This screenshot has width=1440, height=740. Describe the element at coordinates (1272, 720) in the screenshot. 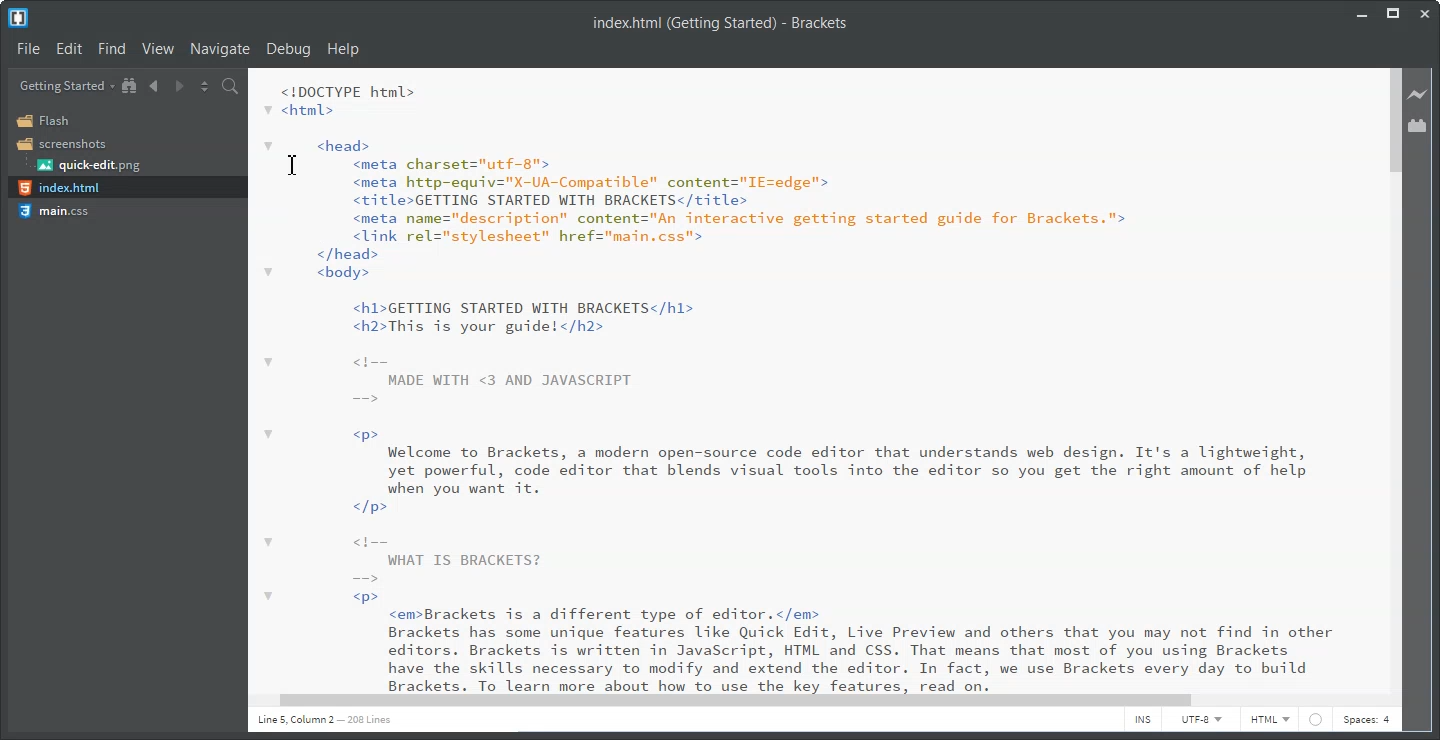

I see `HTML` at that location.